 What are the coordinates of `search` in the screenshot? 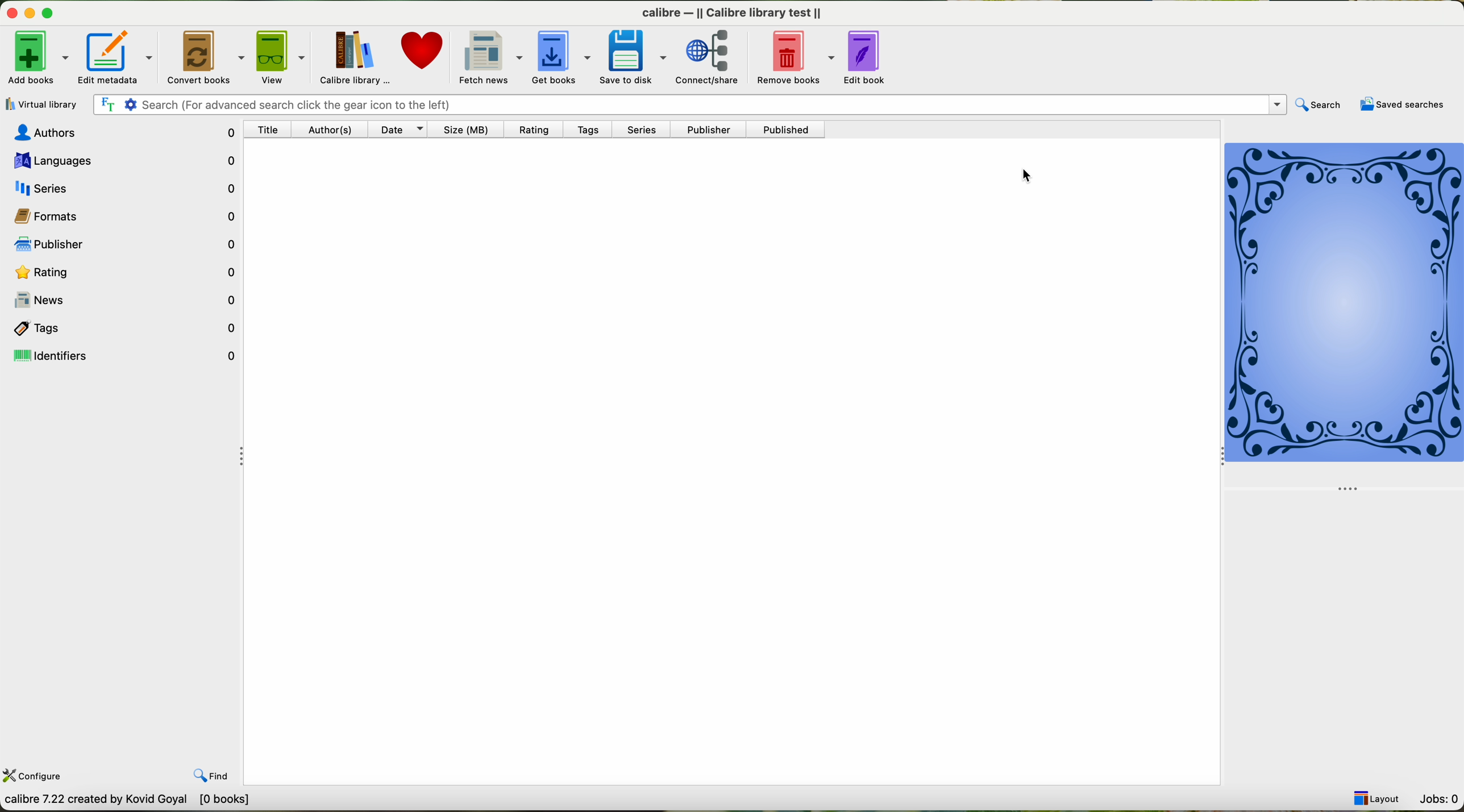 It's located at (1317, 106).